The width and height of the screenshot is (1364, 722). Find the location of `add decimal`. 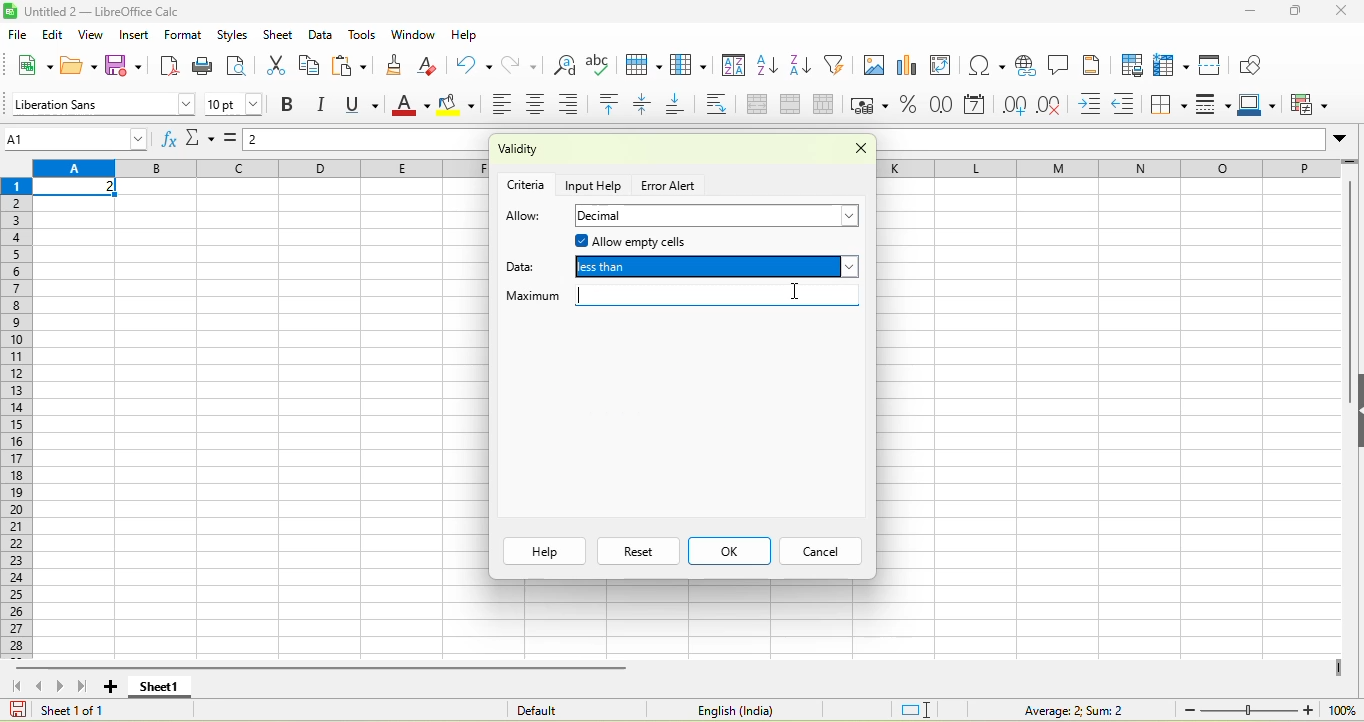

add decimal is located at coordinates (1015, 105).